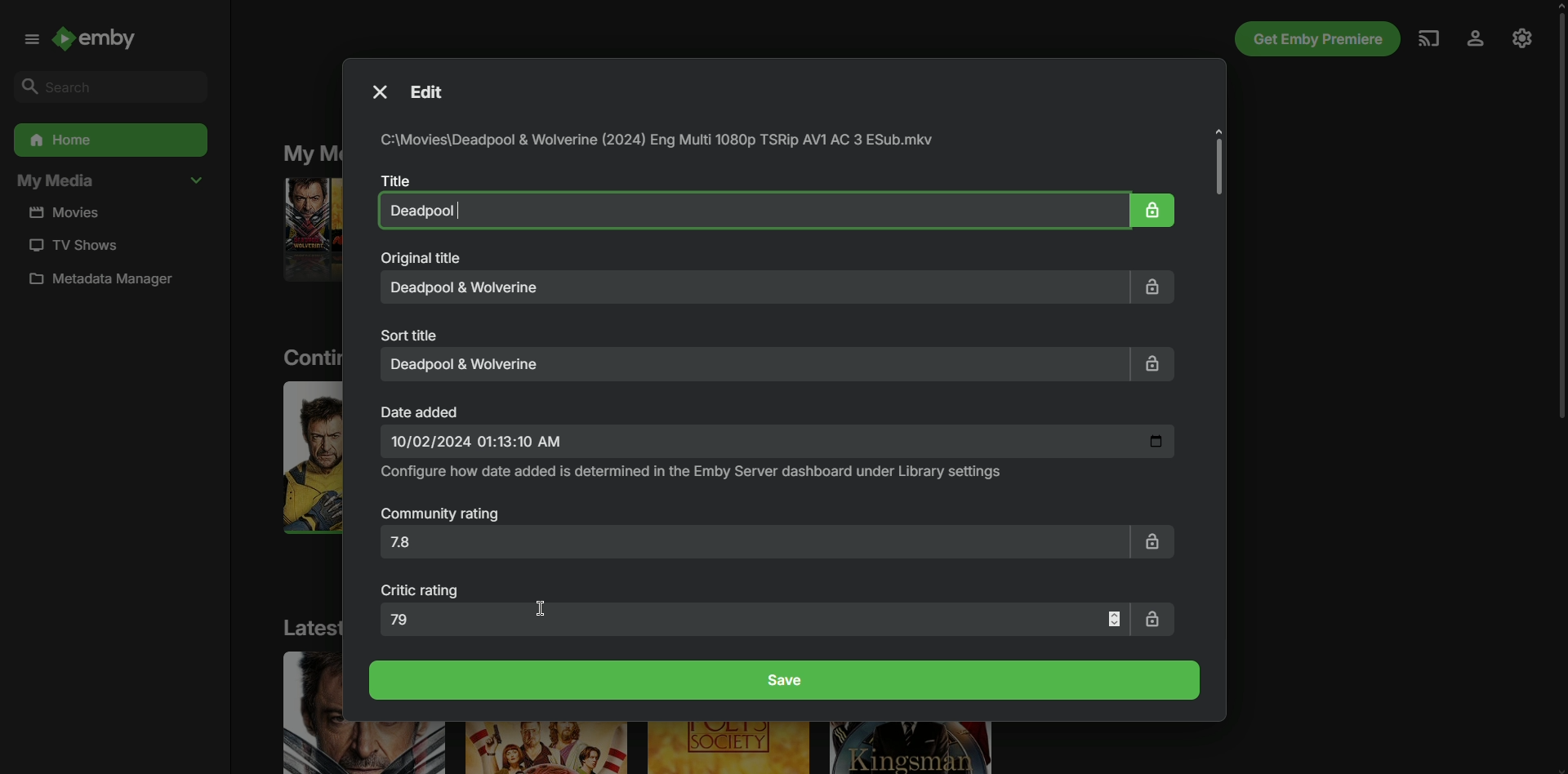 The image size is (1568, 774). What do you see at coordinates (1158, 287) in the screenshot?
I see `Lock` at bounding box center [1158, 287].